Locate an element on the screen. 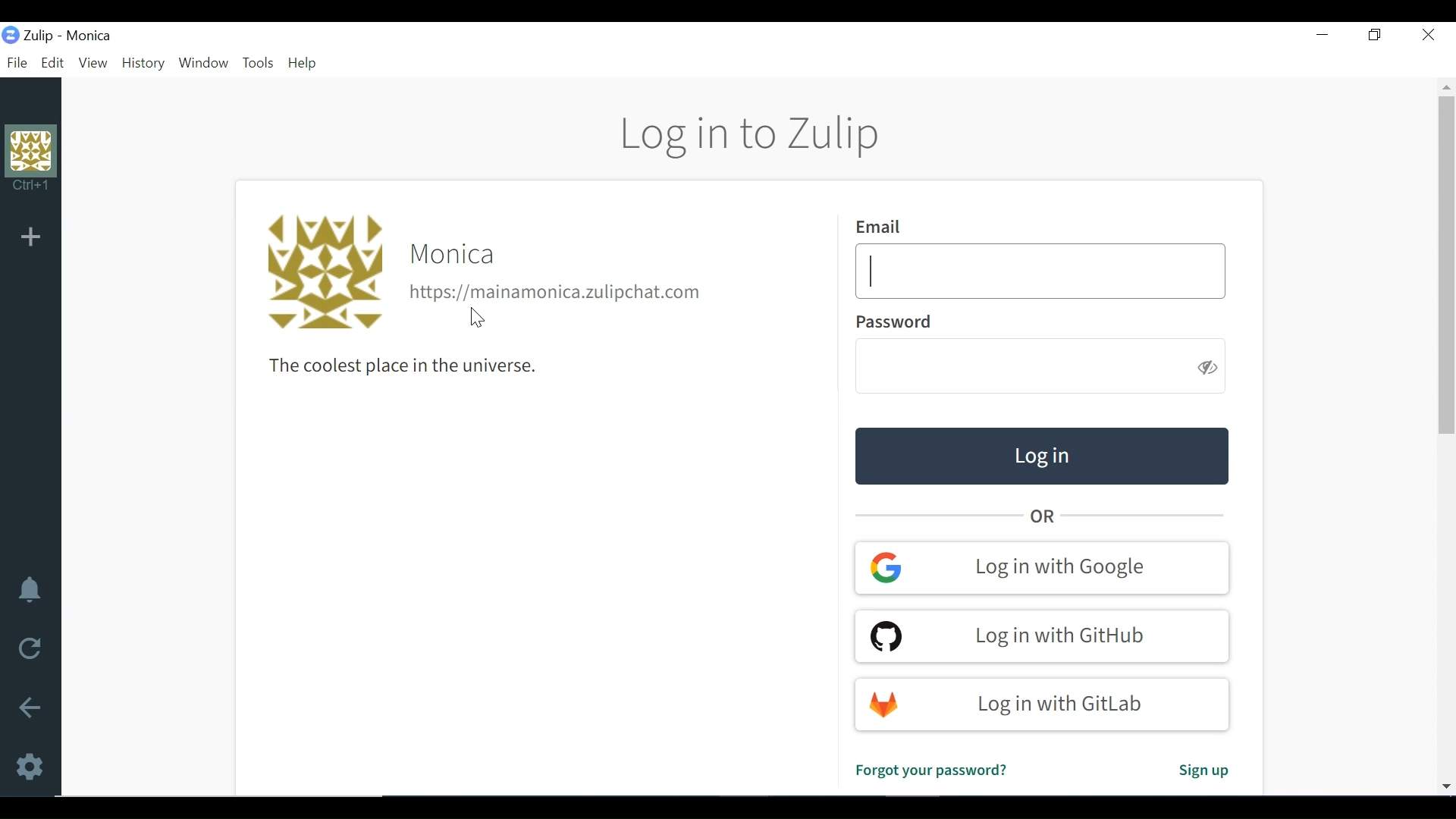  Log in to Zulip is located at coordinates (752, 136).